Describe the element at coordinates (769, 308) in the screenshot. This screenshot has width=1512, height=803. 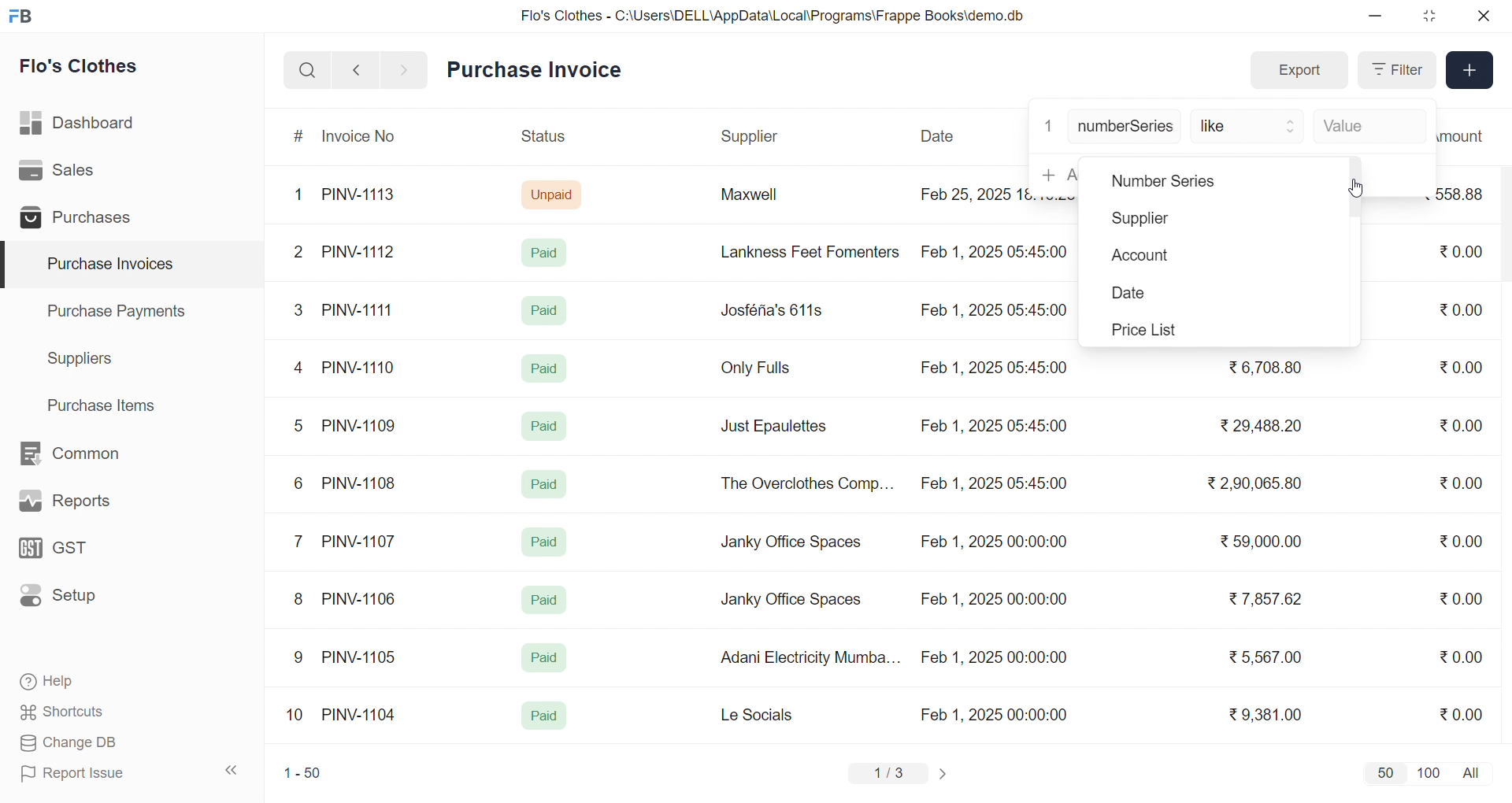
I see `Josféria's 611s` at that location.